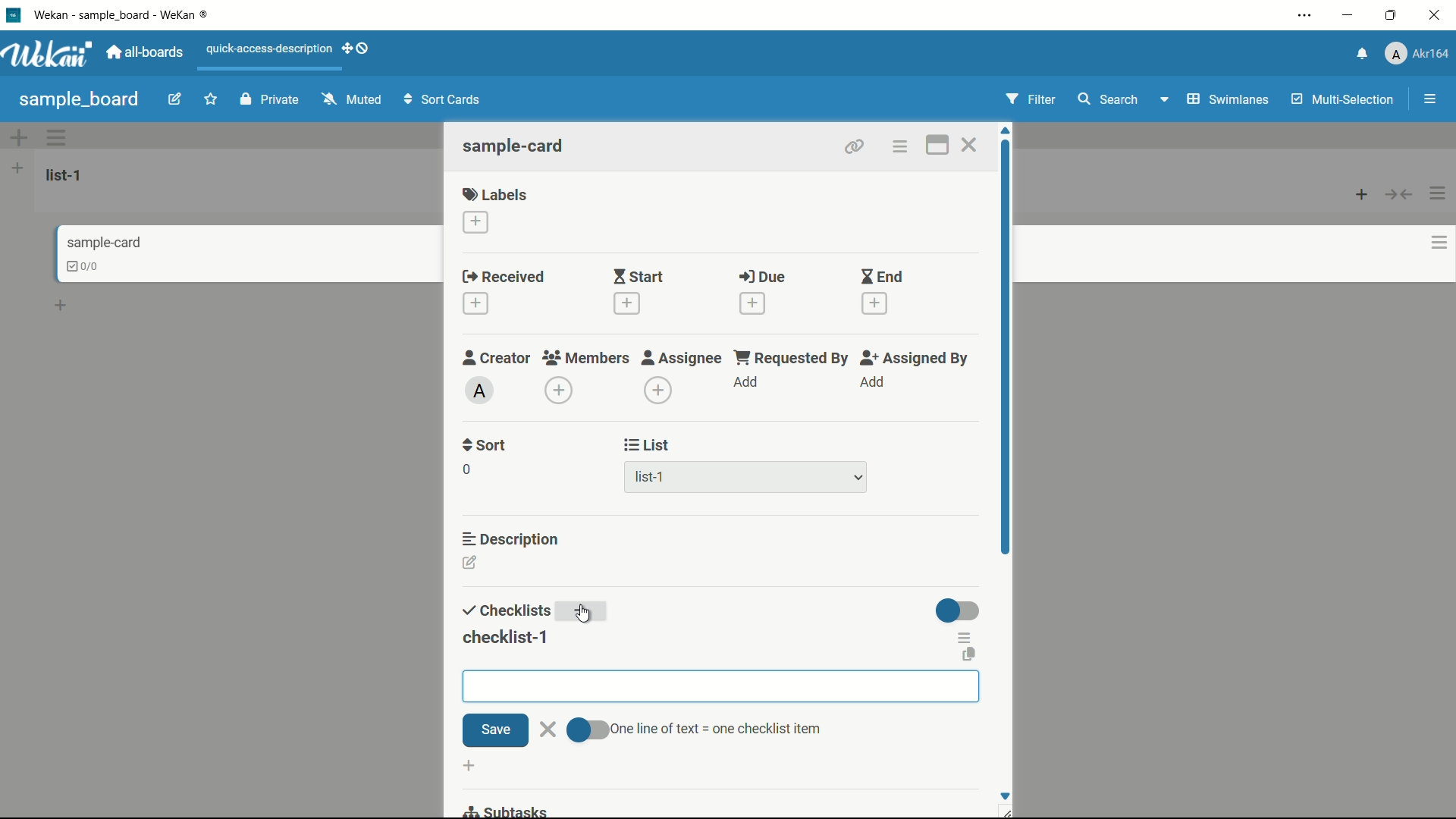 The image size is (1456, 819). I want to click on assigned by, so click(916, 358).